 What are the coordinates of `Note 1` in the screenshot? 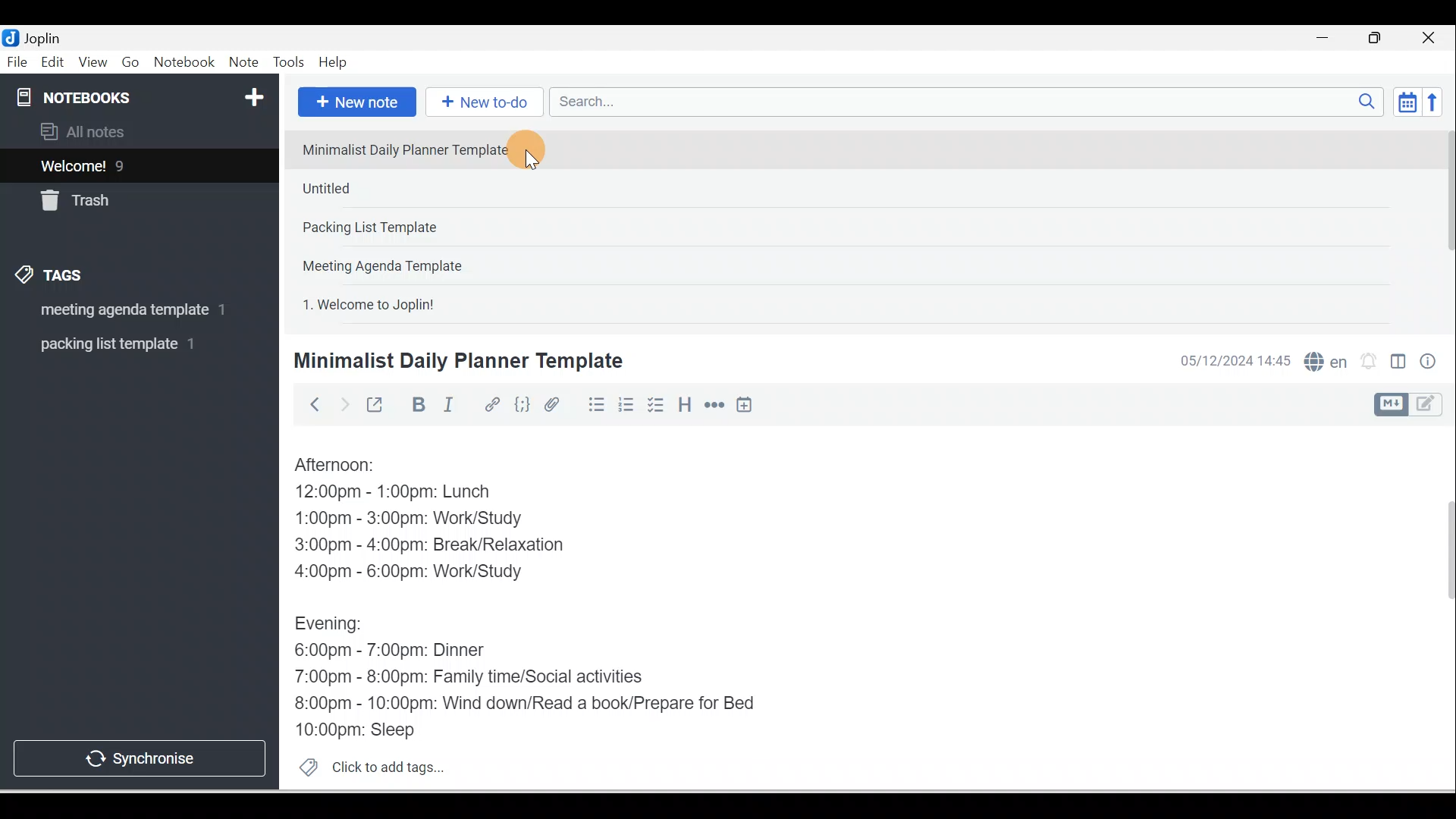 It's located at (416, 149).